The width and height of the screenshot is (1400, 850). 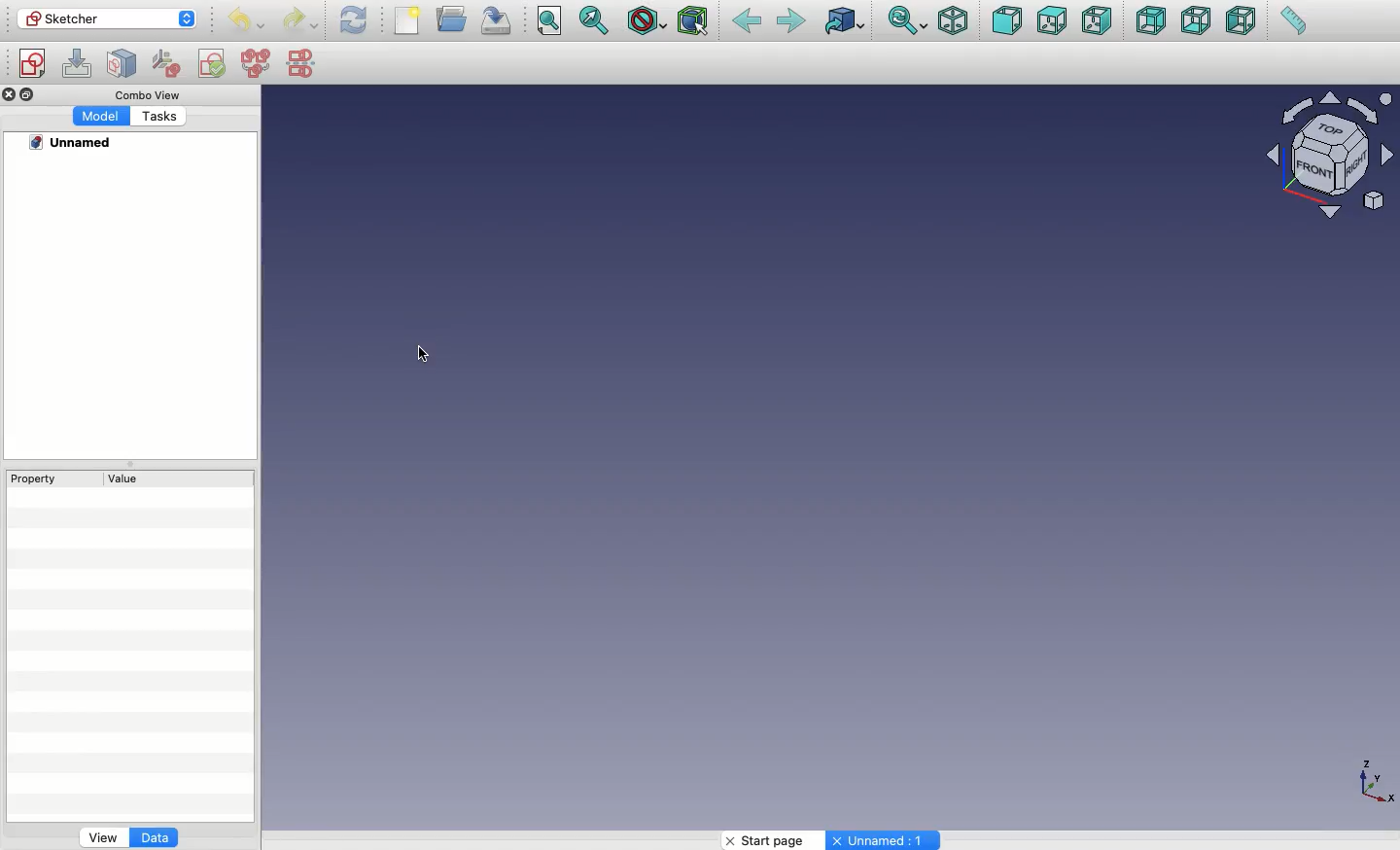 What do you see at coordinates (130, 478) in the screenshot?
I see `Value` at bounding box center [130, 478].